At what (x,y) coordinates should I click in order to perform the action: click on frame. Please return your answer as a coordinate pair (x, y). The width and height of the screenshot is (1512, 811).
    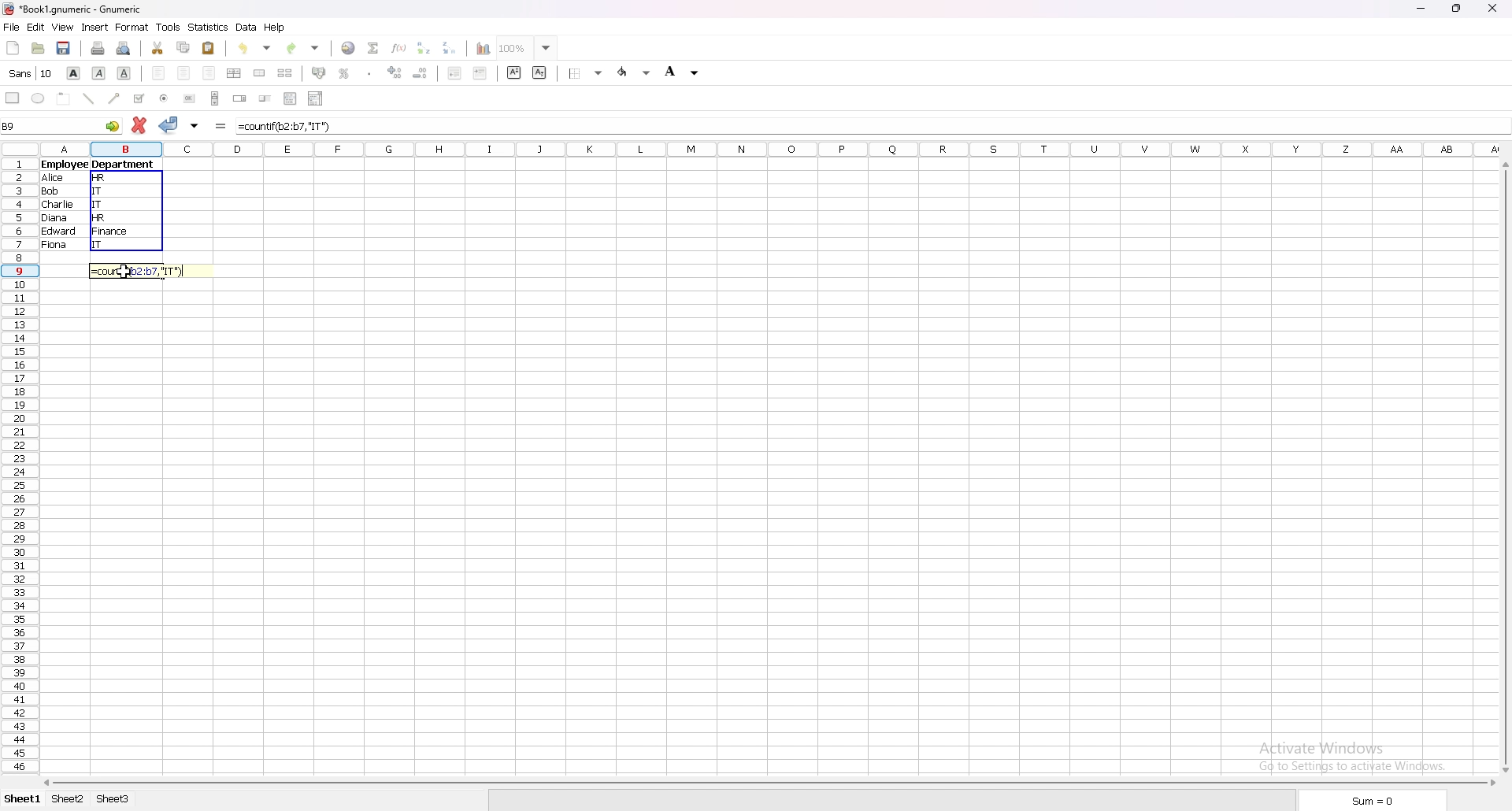
    Looking at the image, I should click on (63, 98).